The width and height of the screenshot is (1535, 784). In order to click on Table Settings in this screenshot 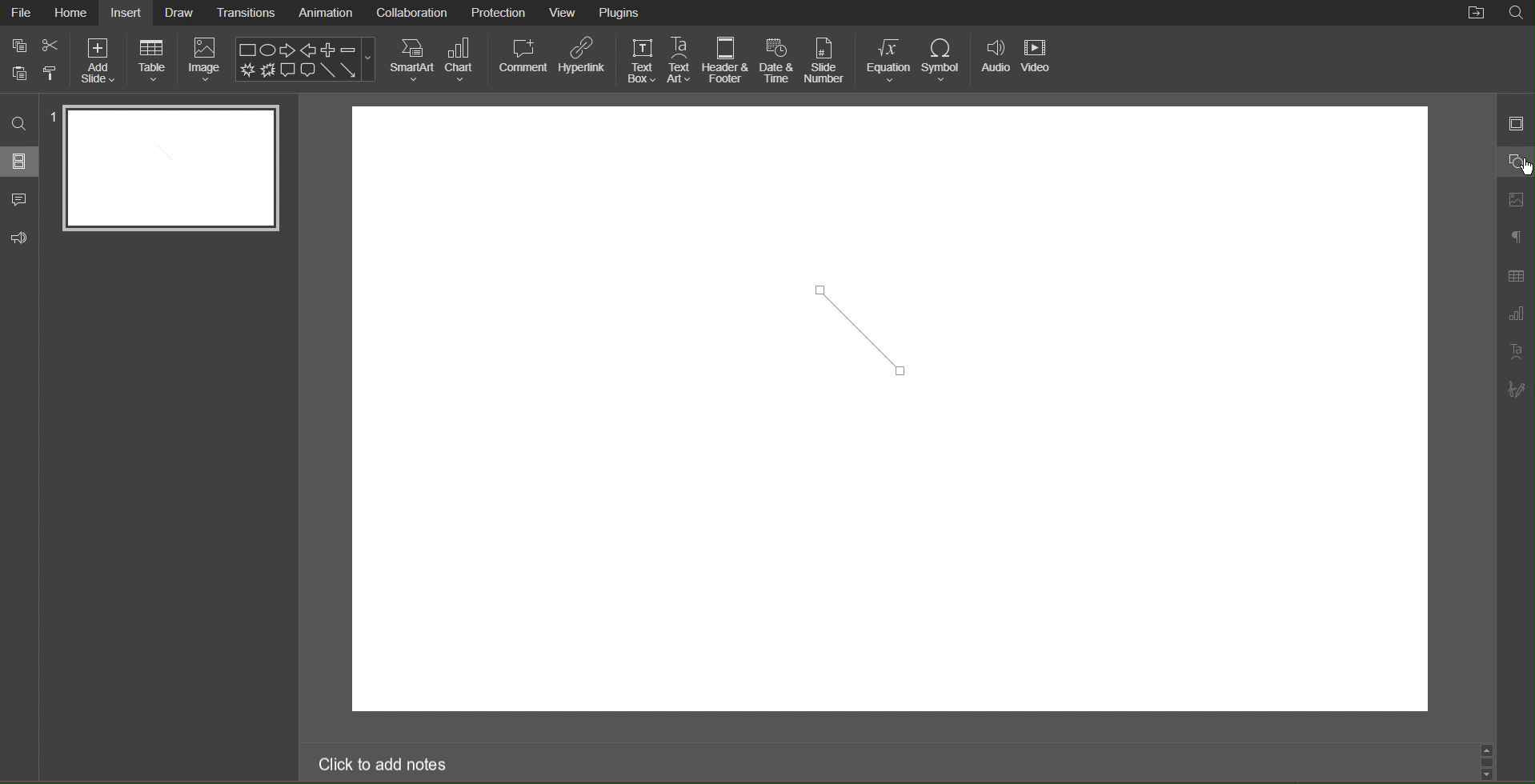, I will do `click(1516, 275)`.